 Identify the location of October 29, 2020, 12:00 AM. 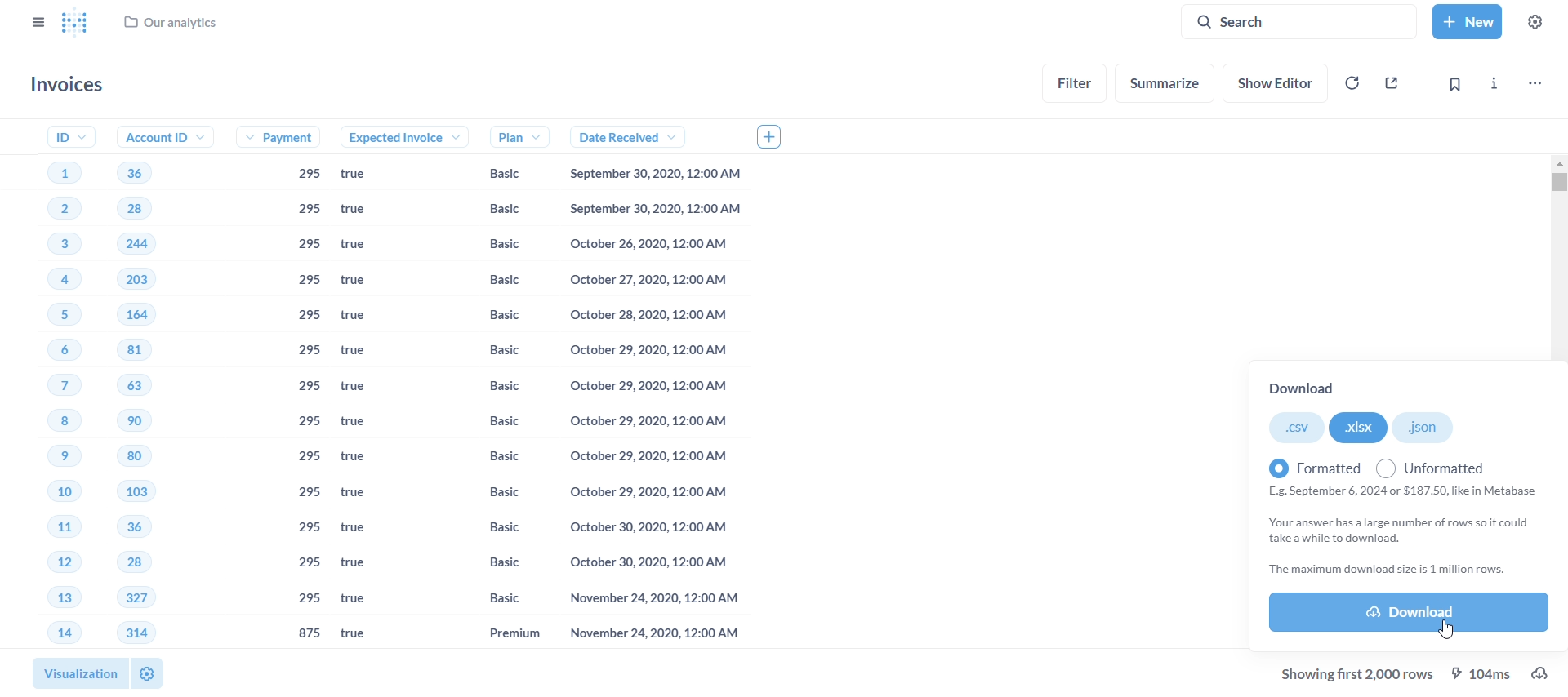
(645, 455).